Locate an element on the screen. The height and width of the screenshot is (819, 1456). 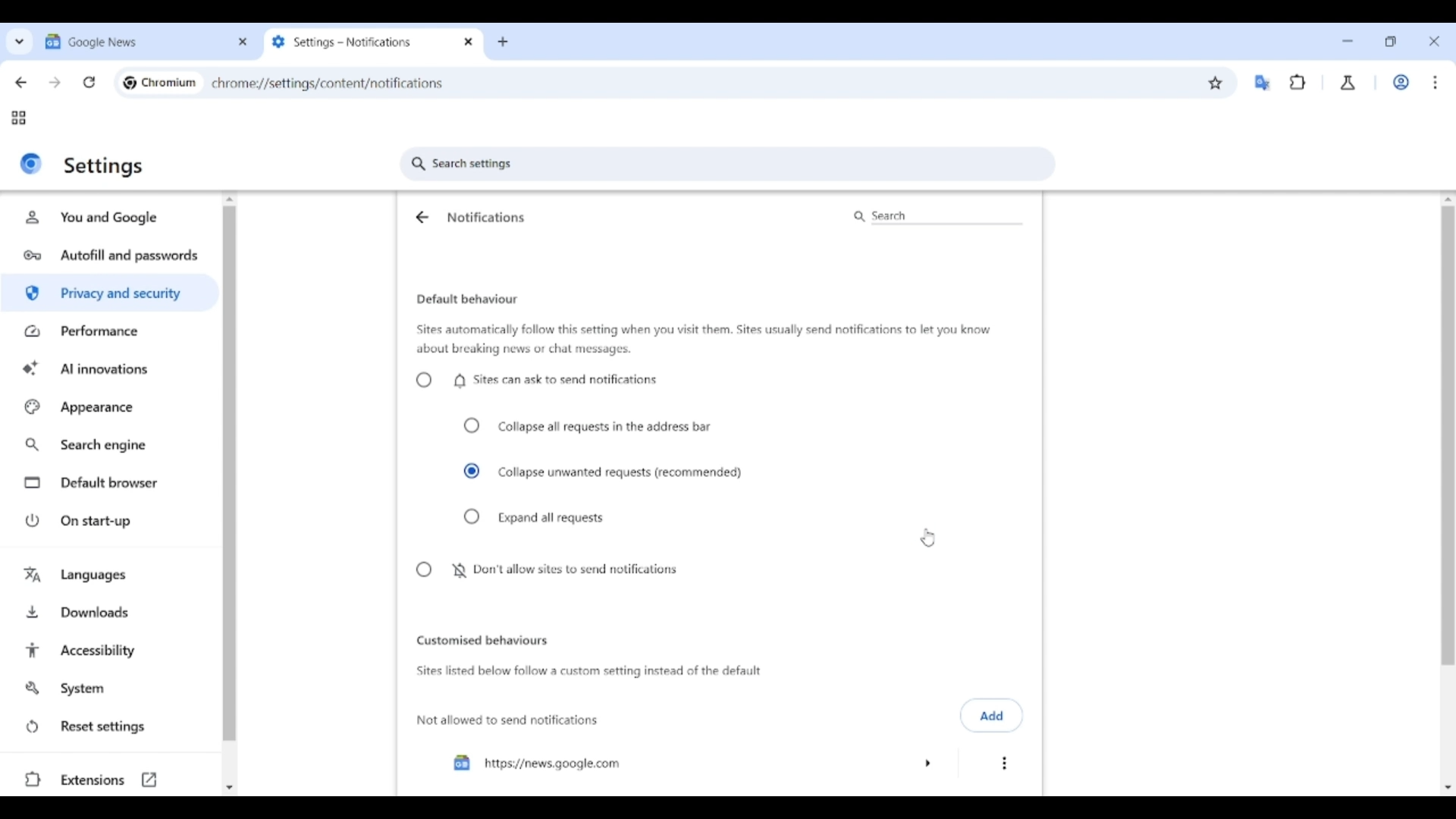
Minimize is located at coordinates (1348, 41).